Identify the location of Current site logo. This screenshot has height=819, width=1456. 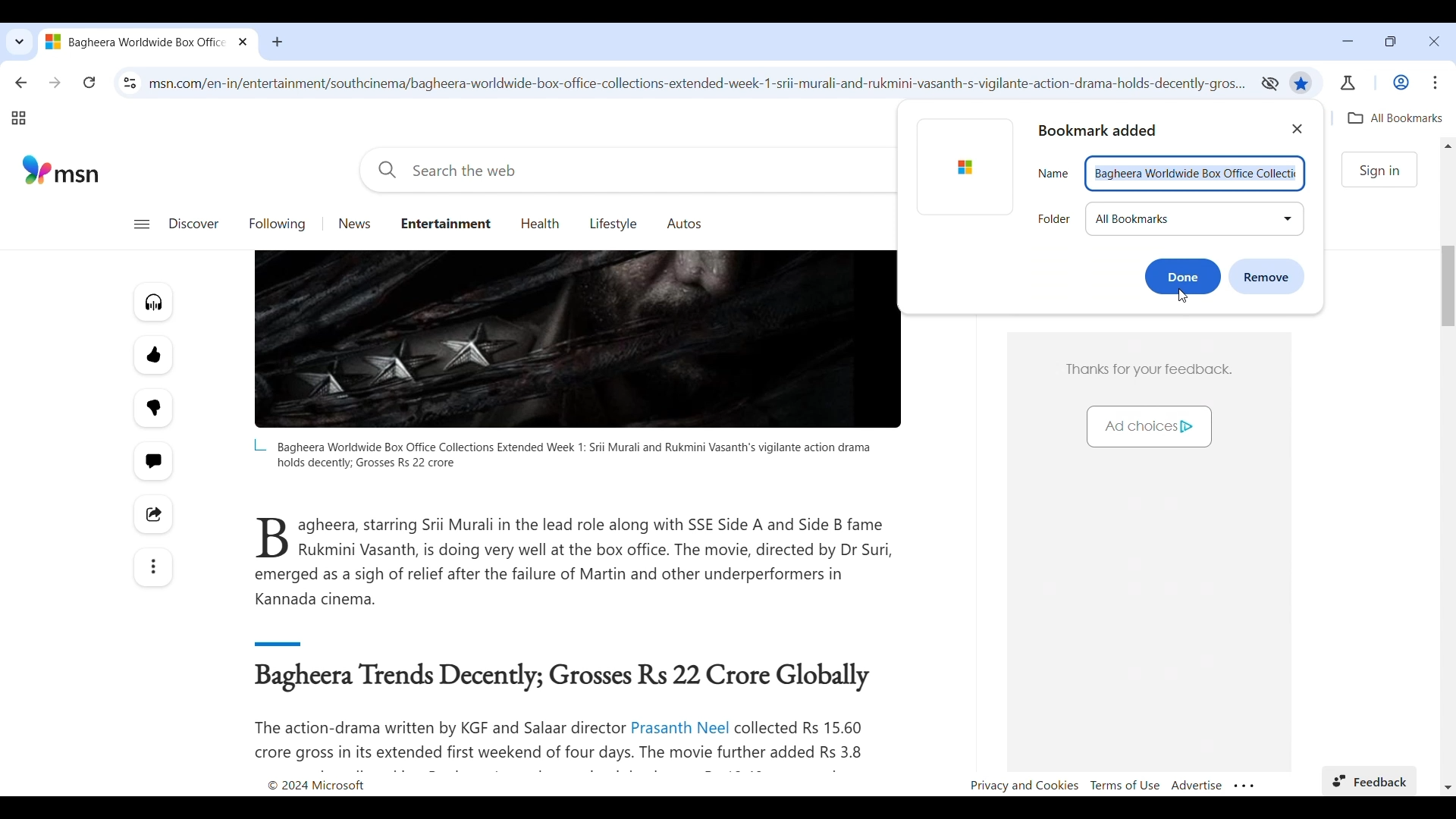
(962, 166).